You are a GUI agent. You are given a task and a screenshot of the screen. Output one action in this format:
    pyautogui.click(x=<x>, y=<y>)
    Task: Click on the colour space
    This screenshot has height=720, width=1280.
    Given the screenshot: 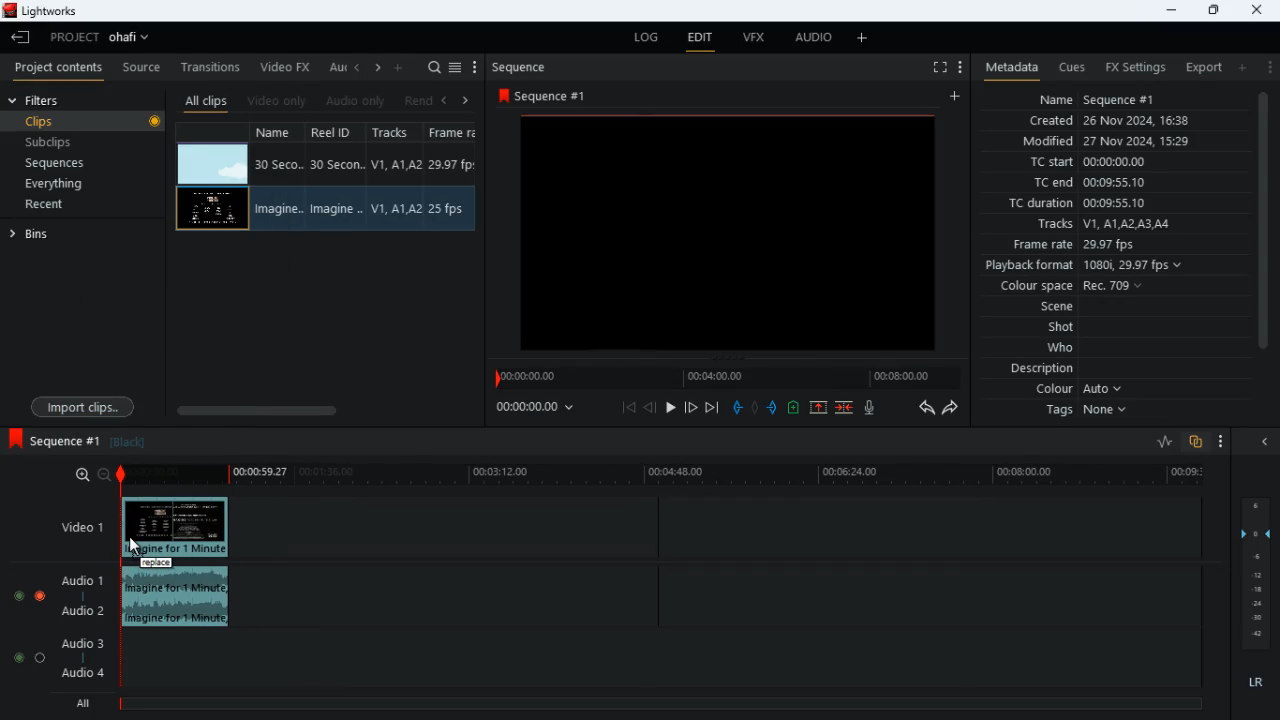 What is the action you would take?
    pyautogui.click(x=1066, y=287)
    